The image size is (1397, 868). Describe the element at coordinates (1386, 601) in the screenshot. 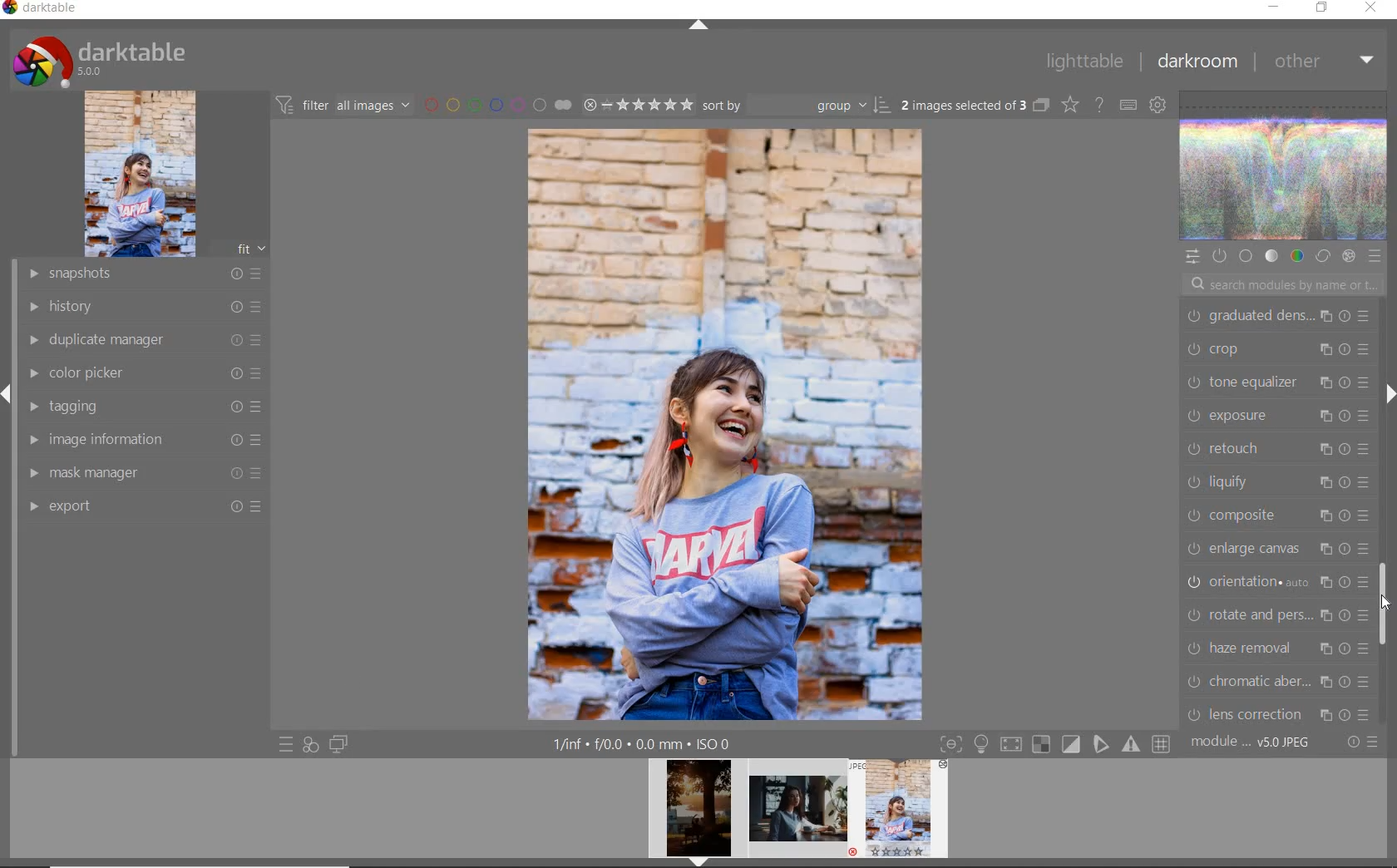

I see `scrollbar` at that location.